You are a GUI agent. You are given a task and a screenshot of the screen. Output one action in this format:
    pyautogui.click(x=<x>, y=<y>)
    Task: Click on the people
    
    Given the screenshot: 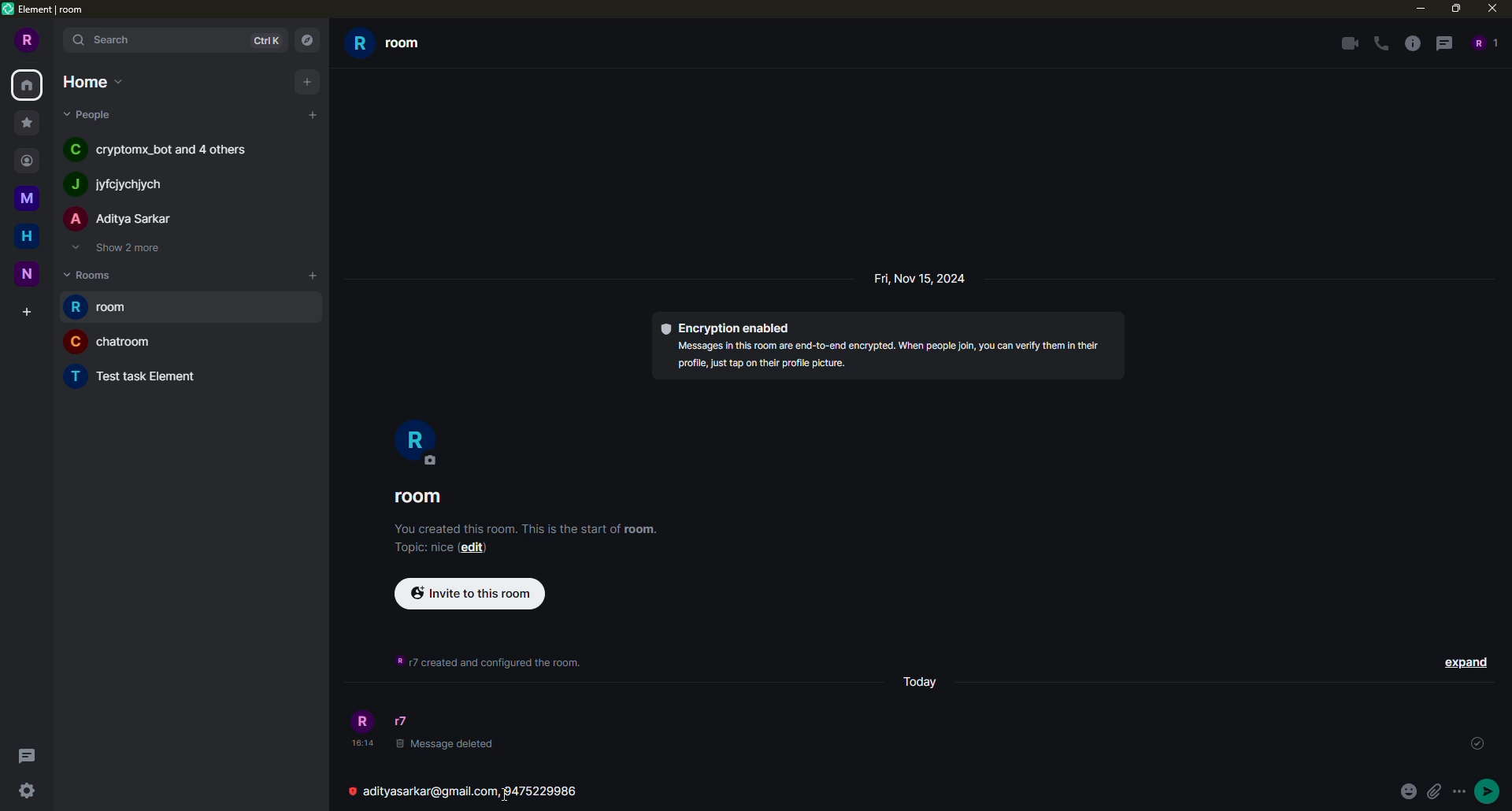 What is the action you would take?
    pyautogui.click(x=92, y=115)
    